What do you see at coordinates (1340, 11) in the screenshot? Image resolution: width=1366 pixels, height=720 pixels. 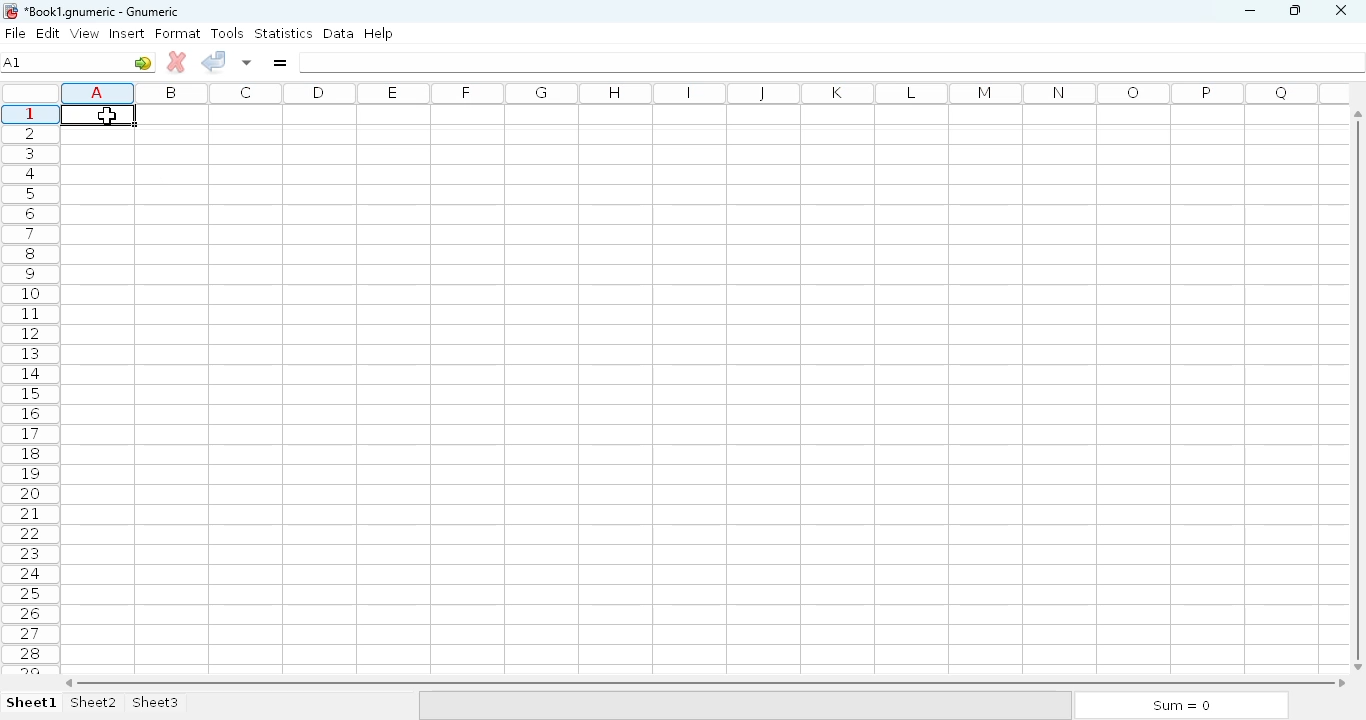 I see `close` at bounding box center [1340, 11].